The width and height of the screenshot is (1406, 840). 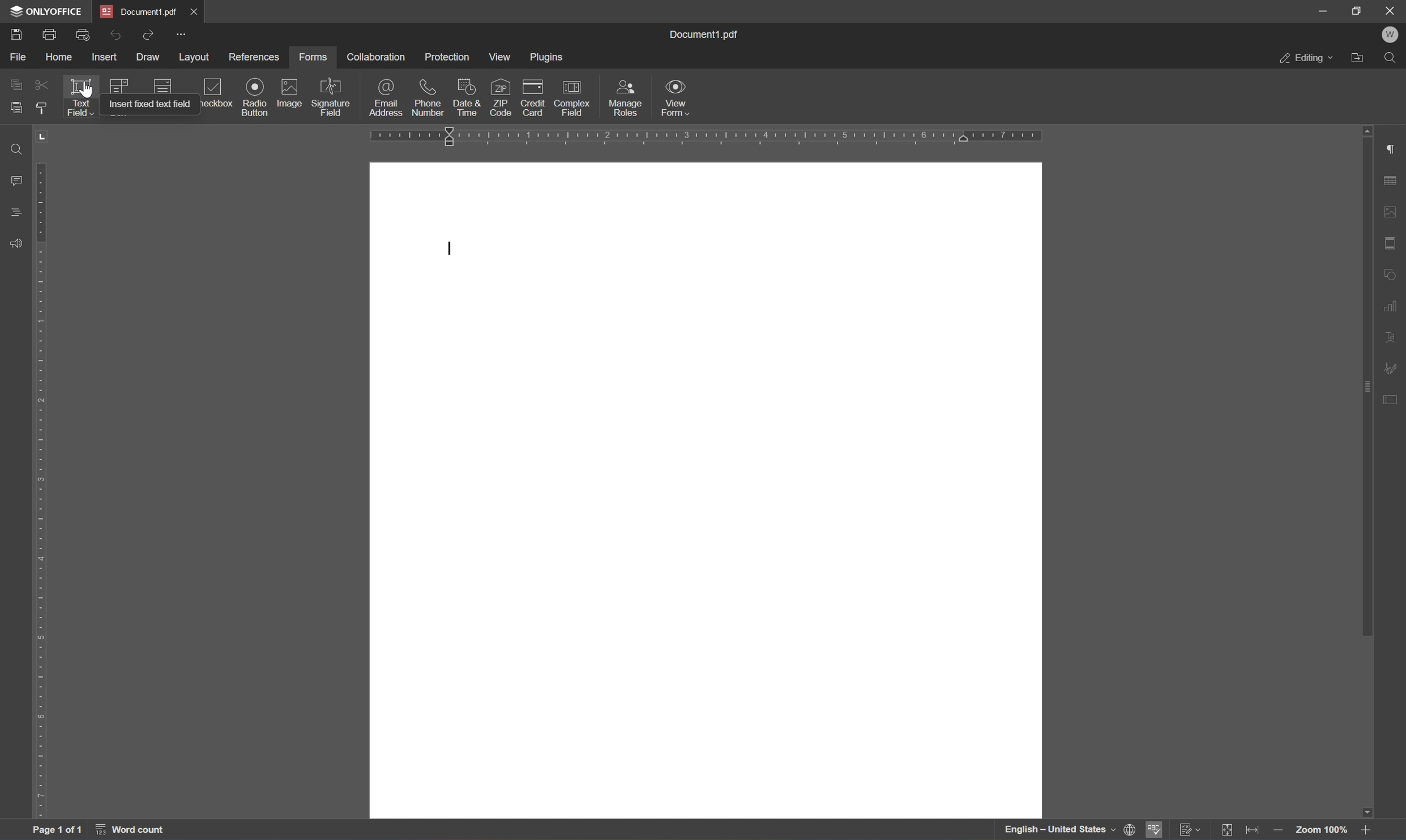 What do you see at coordinates (215, 96) in the screenshot?
I see `` at bounding box center [215, 96].